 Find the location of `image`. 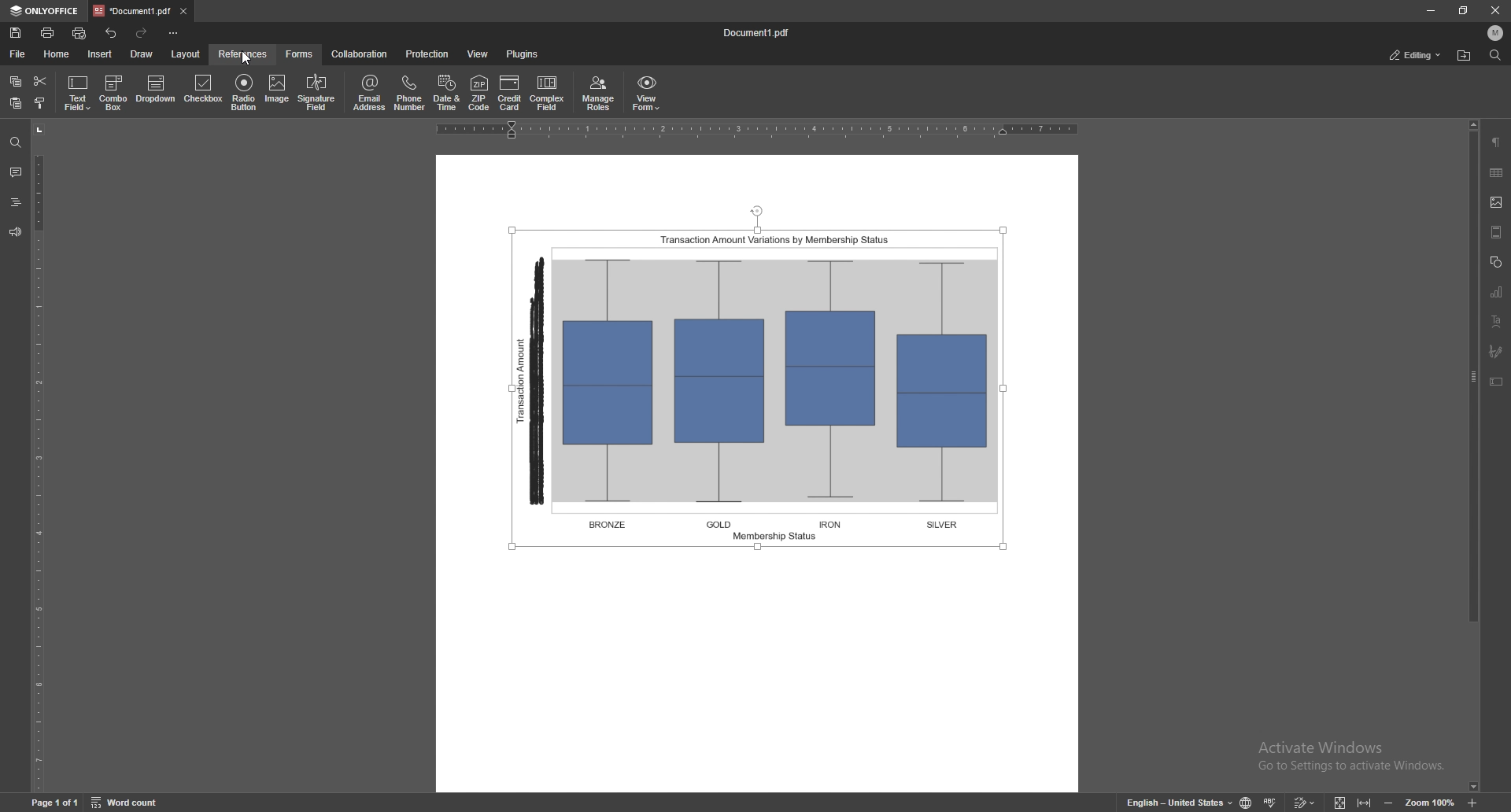

image is located at coordinates (1498, 202).